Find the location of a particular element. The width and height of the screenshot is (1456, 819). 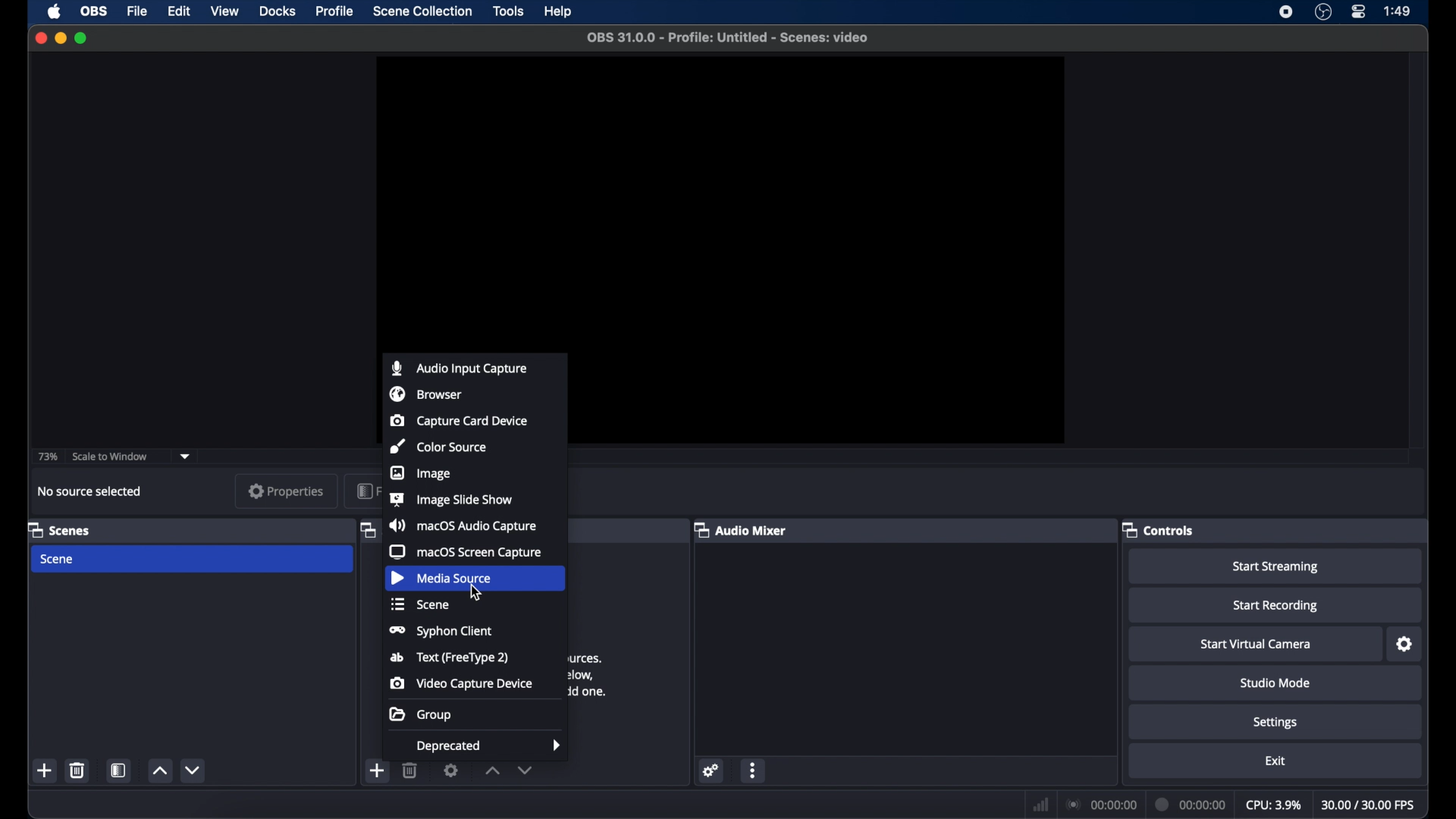

scenes is located at coordinates (60, 529).